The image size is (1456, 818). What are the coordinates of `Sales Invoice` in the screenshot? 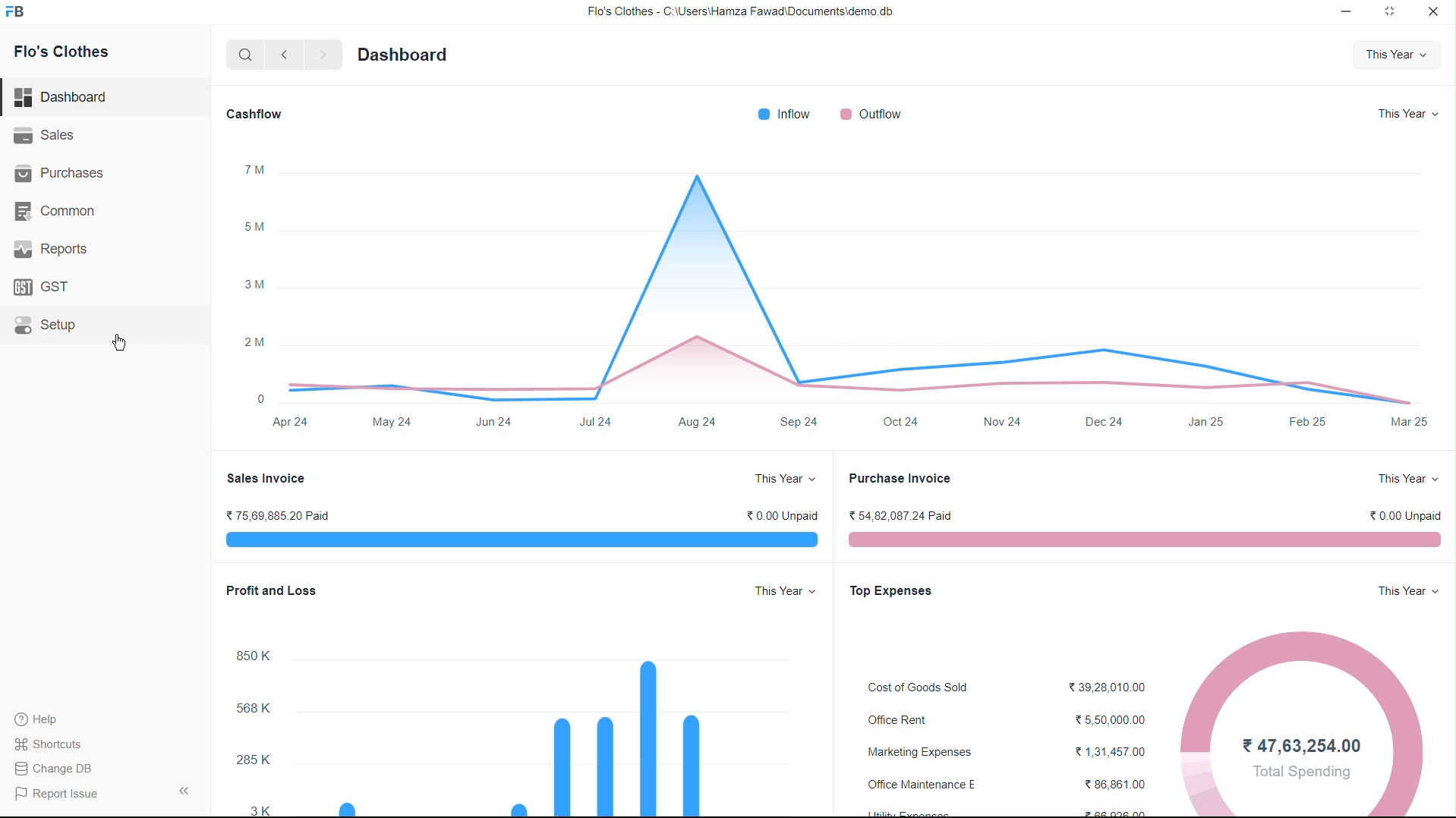 It's located at (268, 477).